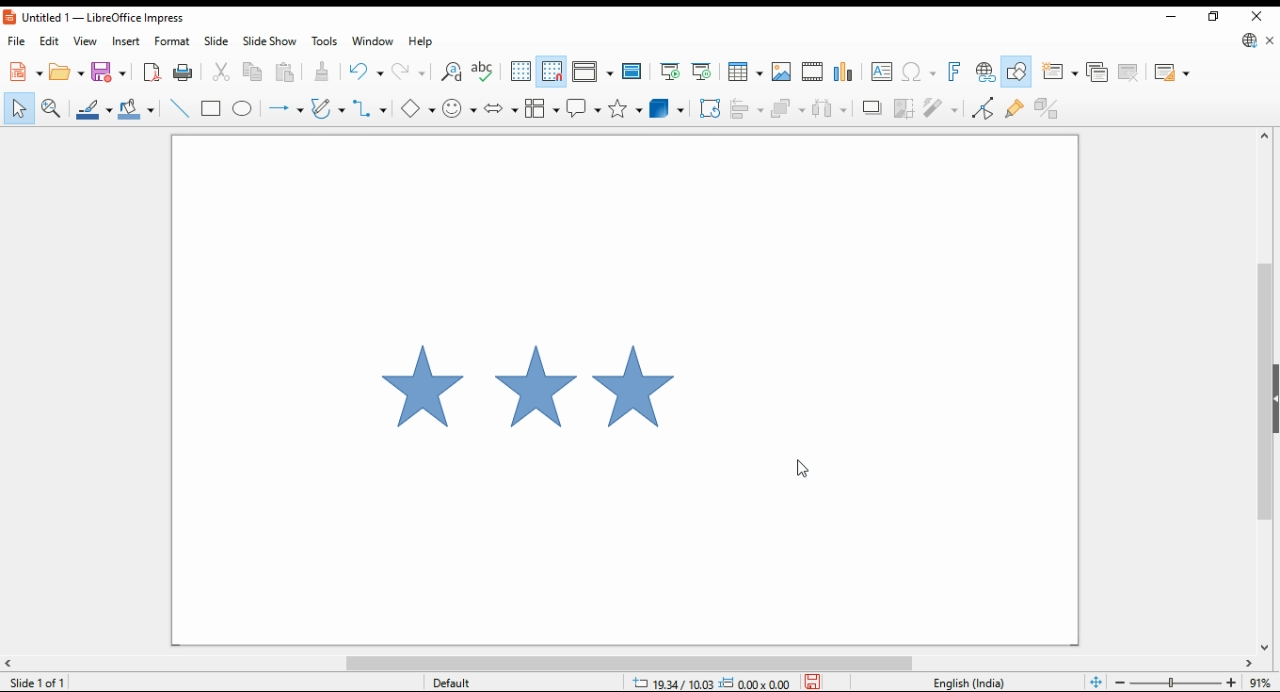  Describe the element at coordinates (1050, 108) in the screenshot. I see `toggle extrusions` at that location.